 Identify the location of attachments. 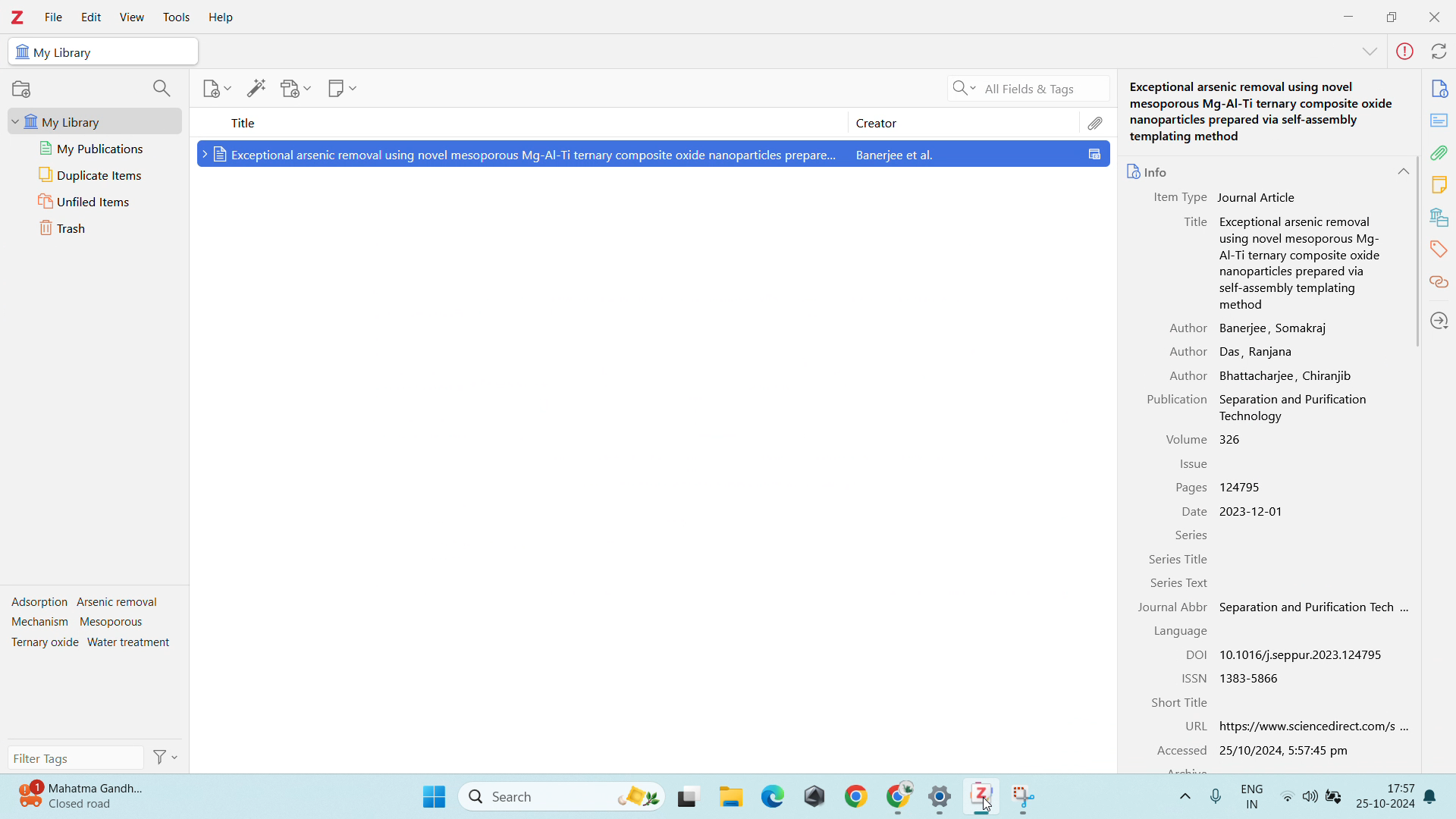
(1096, 122).